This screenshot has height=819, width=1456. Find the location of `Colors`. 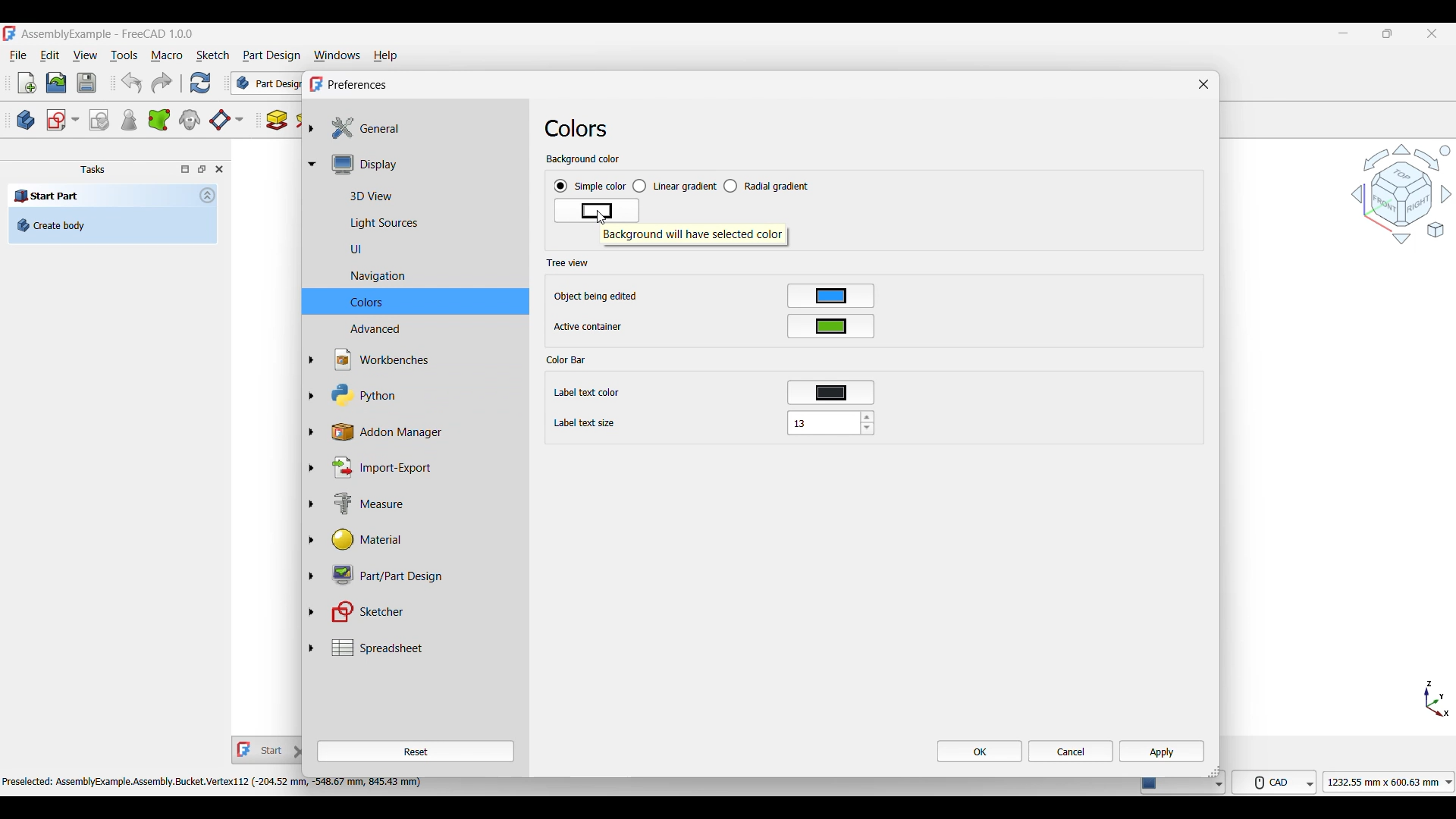

Colors is located at coordinates (576, 128).